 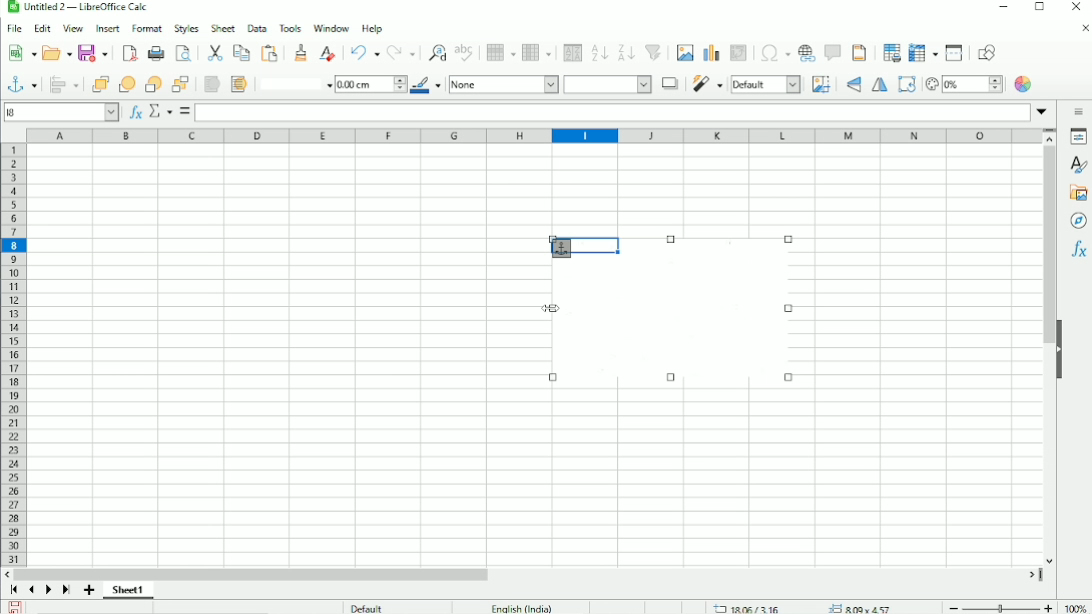 I want to click on Column headings, so click(x=535, y=136).